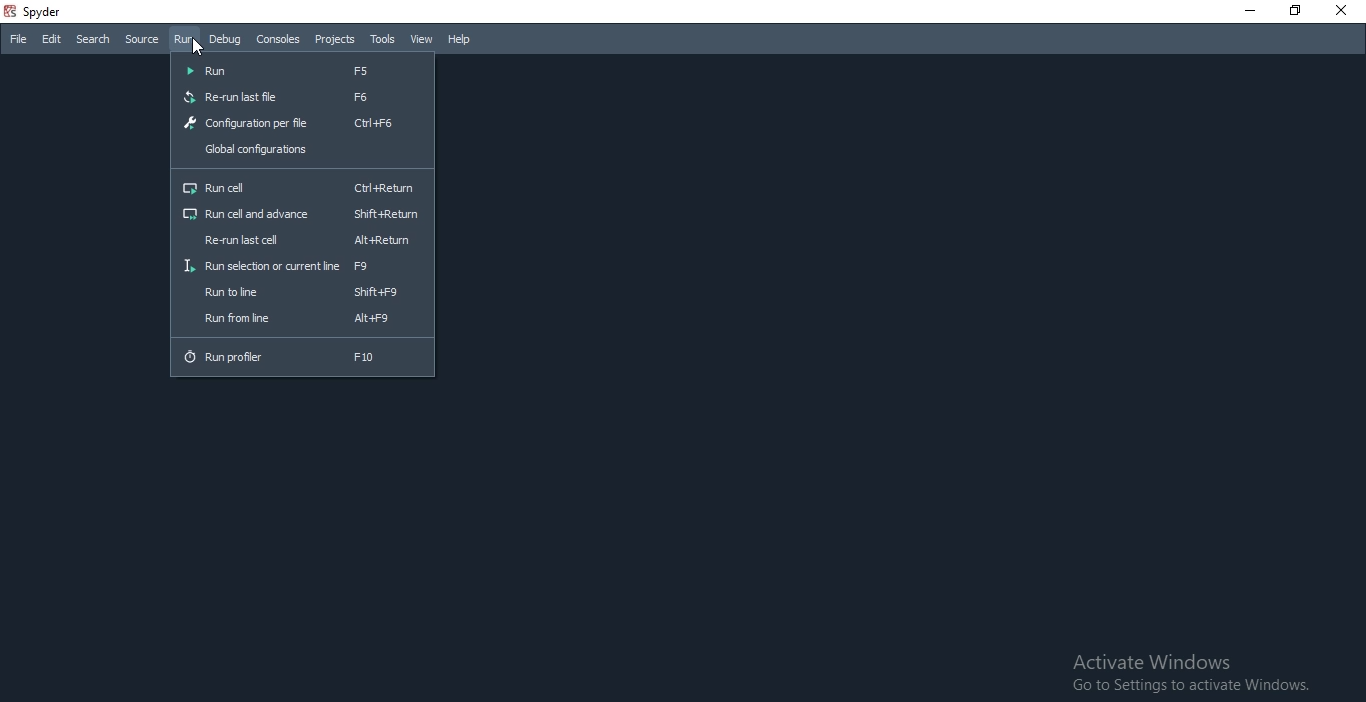 Image resolution: width=1366 pixels, height=702 pixels. I want to click on spyder, so click(48, 12).